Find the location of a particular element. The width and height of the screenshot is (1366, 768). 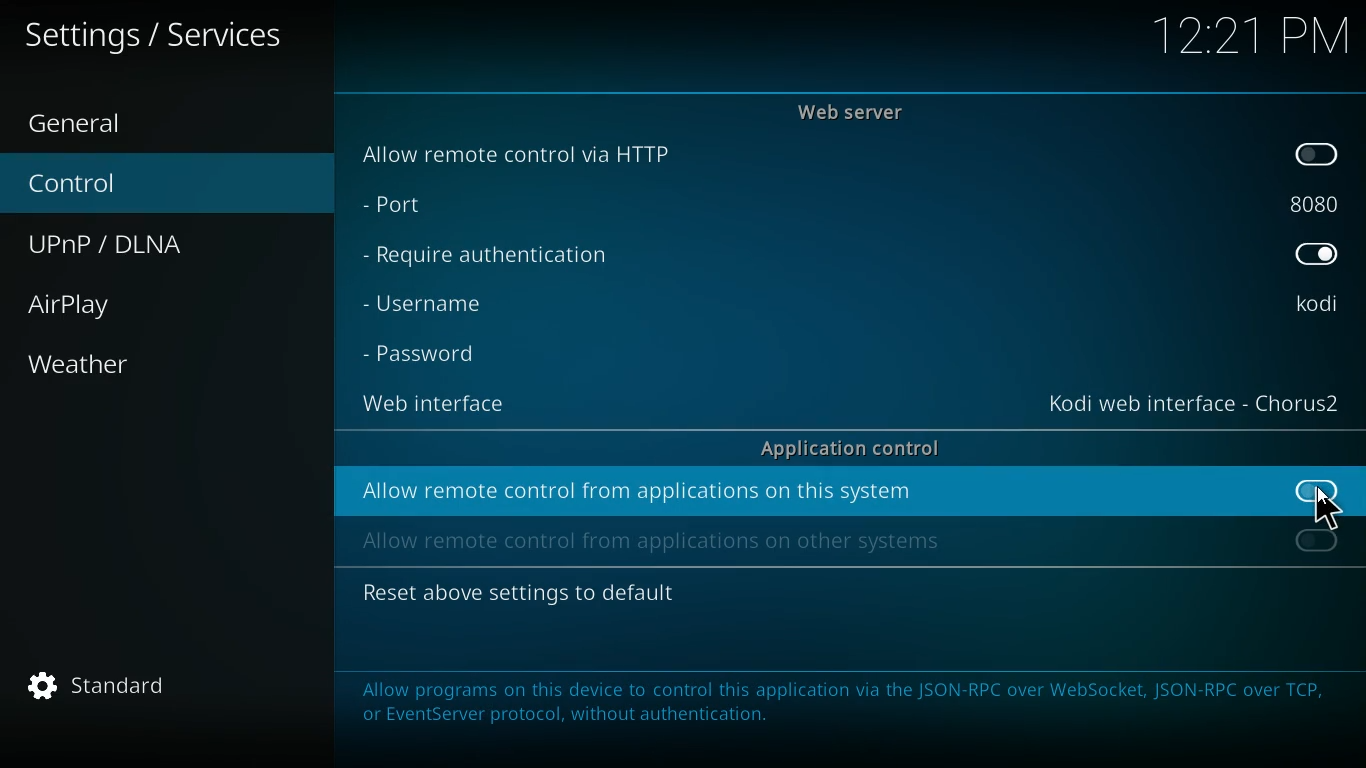

allow remote control from other systems is located at coordinates (653, 540).